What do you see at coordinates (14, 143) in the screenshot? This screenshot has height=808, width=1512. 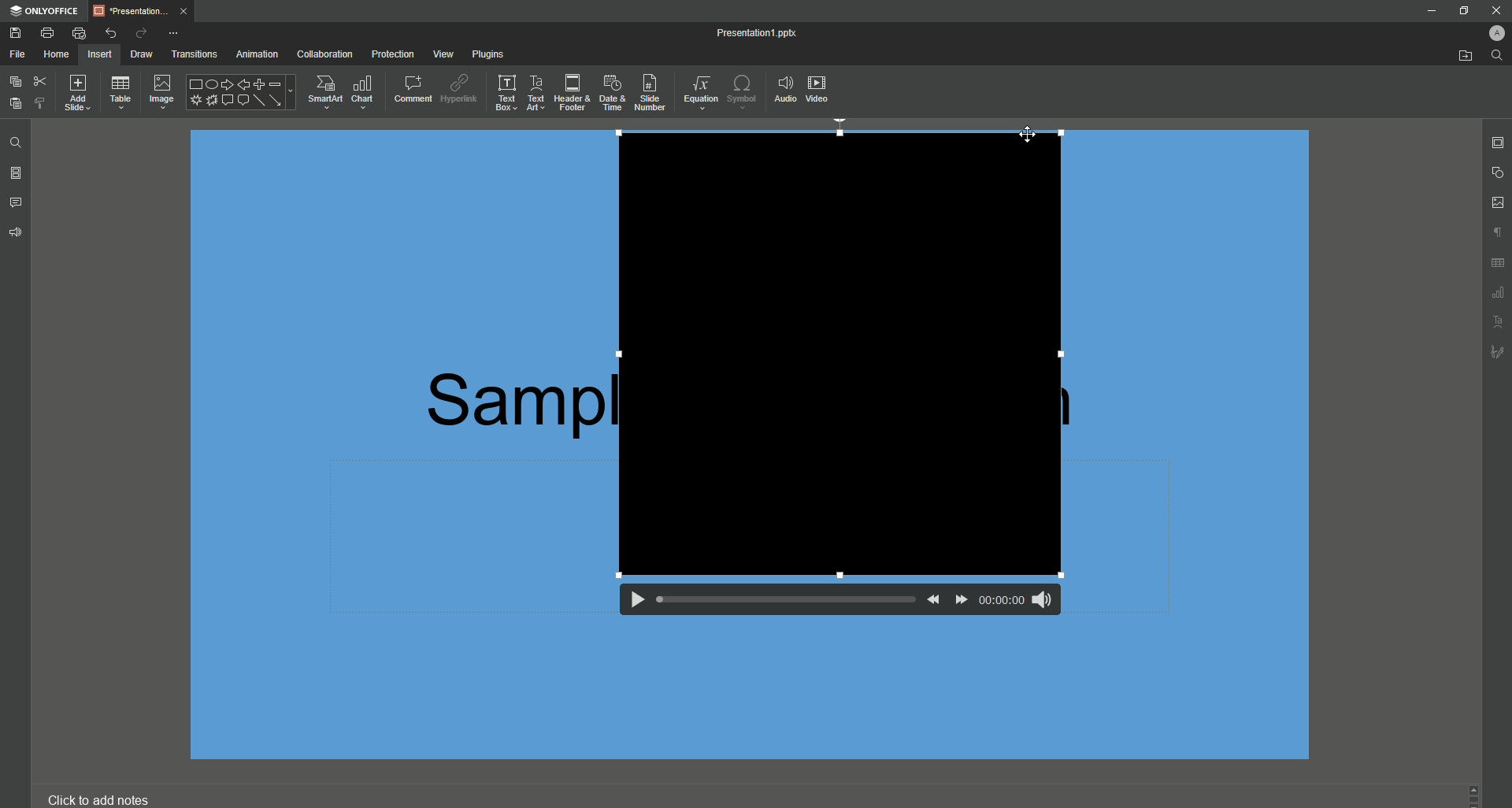 I see `Find` at bounding box center [14, 143].